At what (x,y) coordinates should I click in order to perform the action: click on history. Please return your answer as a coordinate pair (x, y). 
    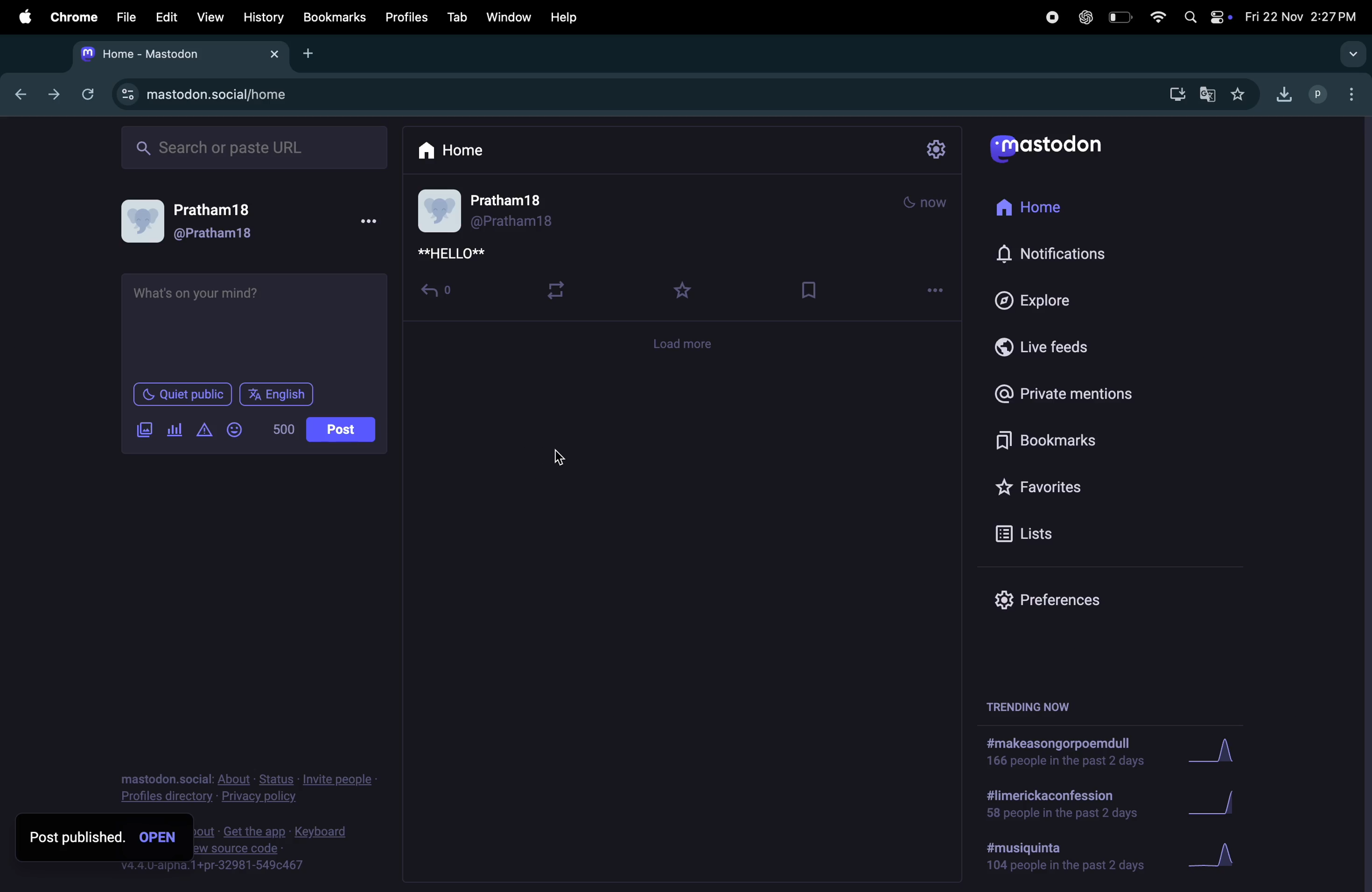
    Looking at the image, I should click on (262, 16).